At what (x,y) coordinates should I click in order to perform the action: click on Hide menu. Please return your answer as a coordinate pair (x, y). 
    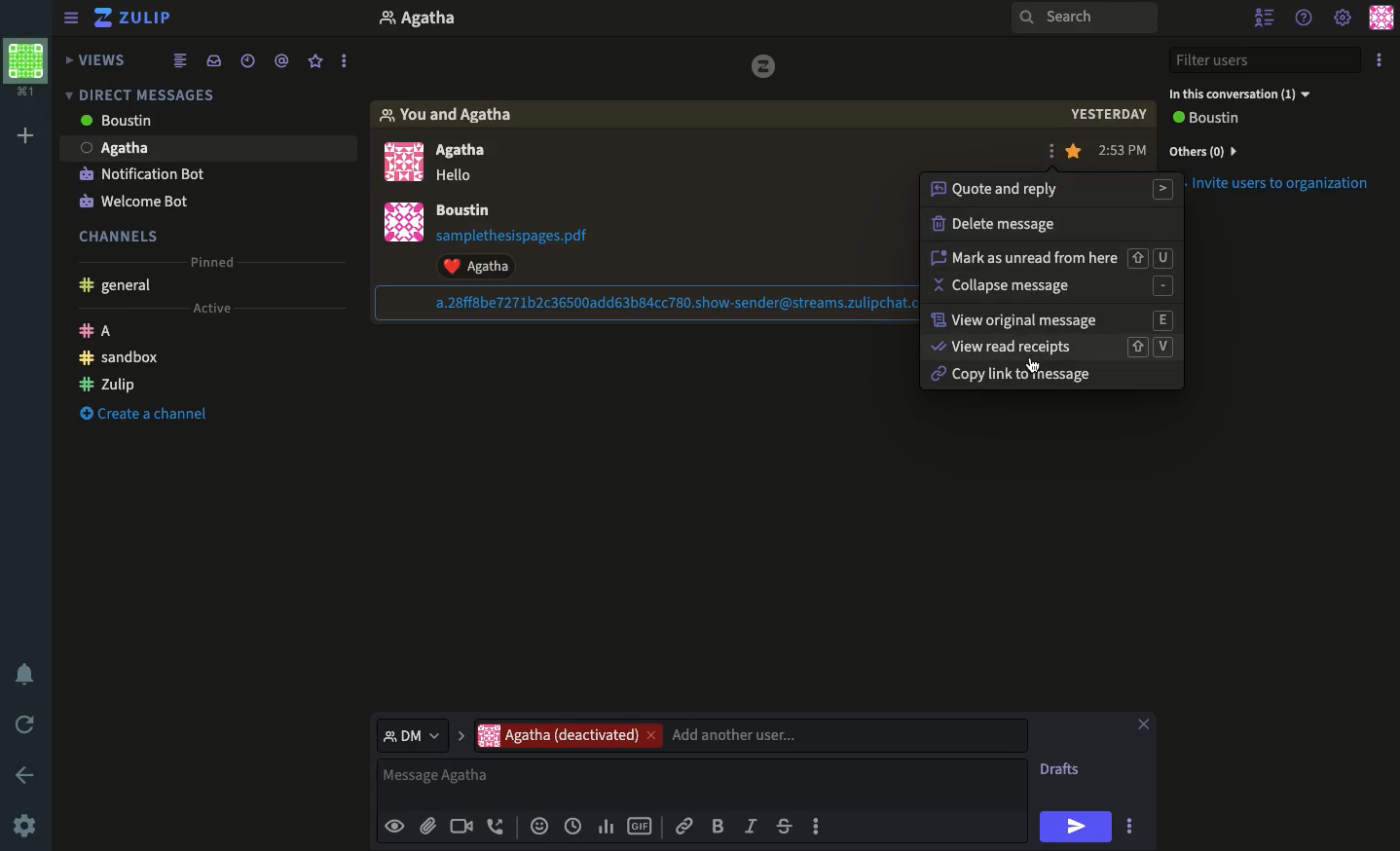
    Looking at the image, I should click on (71, 16).